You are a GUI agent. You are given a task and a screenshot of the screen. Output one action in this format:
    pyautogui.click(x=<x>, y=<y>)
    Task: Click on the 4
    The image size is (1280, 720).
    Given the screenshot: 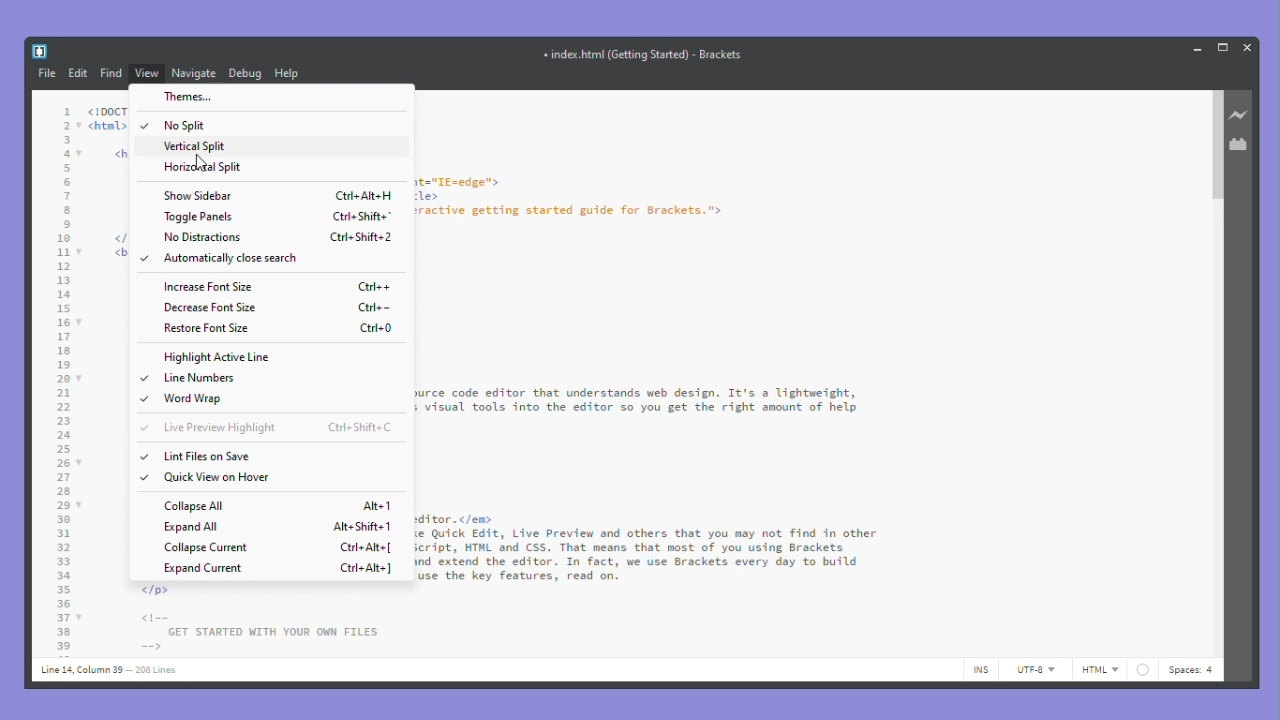 What is the action you would take?
    pyautogui.click(x=65, y=154)
    